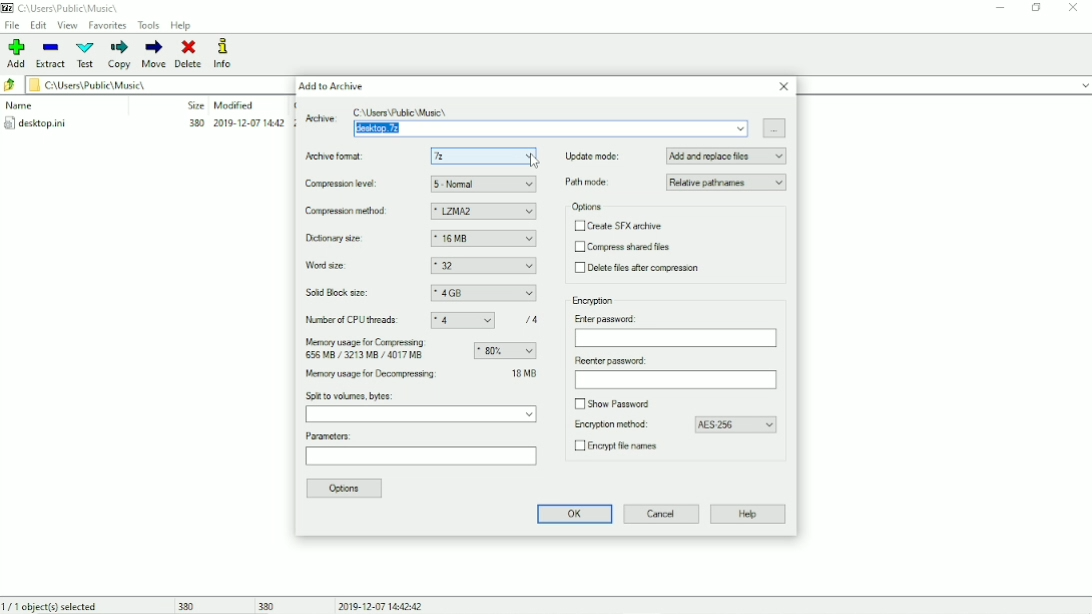  What do you see at coordinates (231, 53) in the screenshot?
I see `Info` at bounding box center [231, 53].